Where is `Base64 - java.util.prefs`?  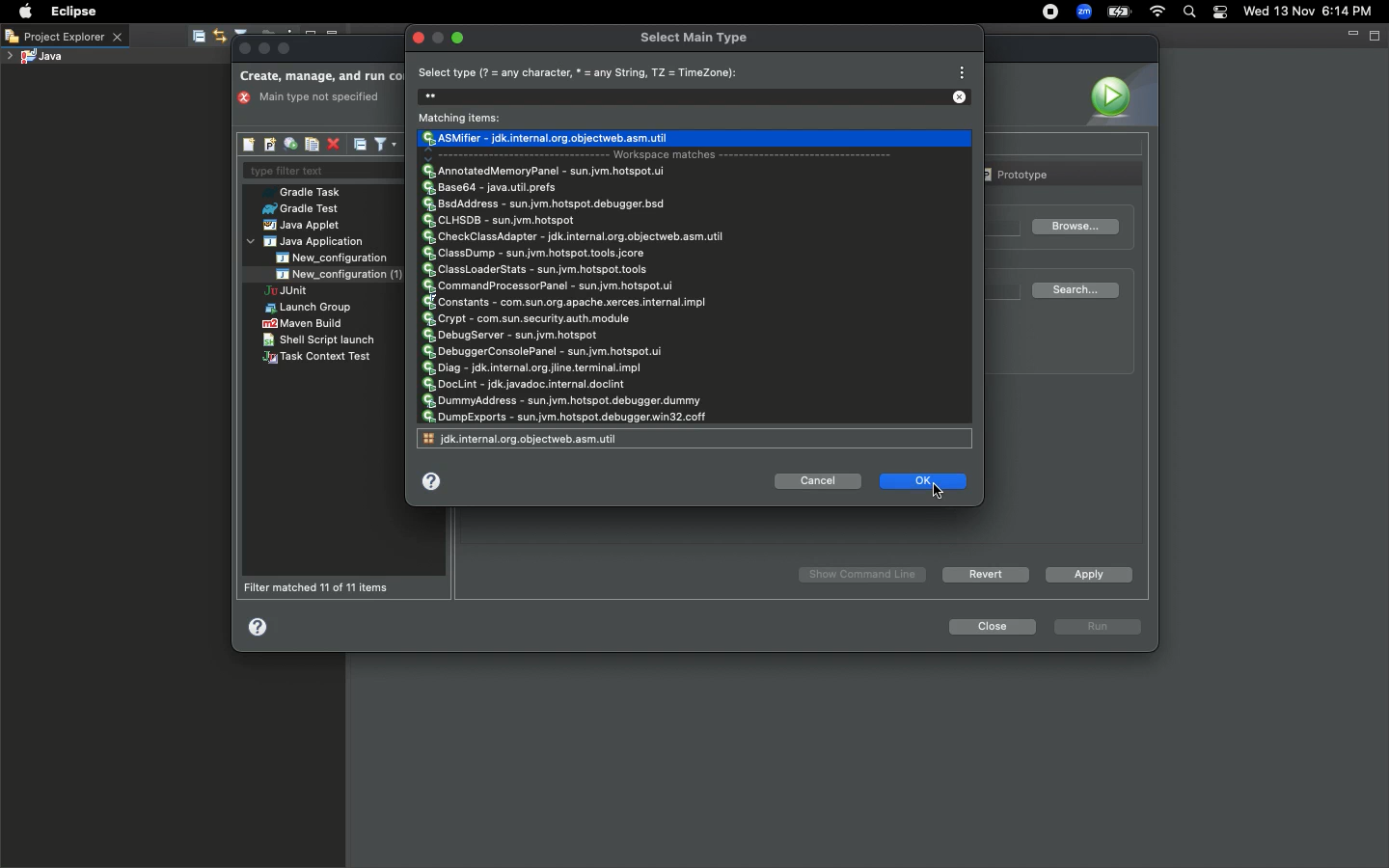 Base64 - java.util.prefs is located at coordinates (495, 188).